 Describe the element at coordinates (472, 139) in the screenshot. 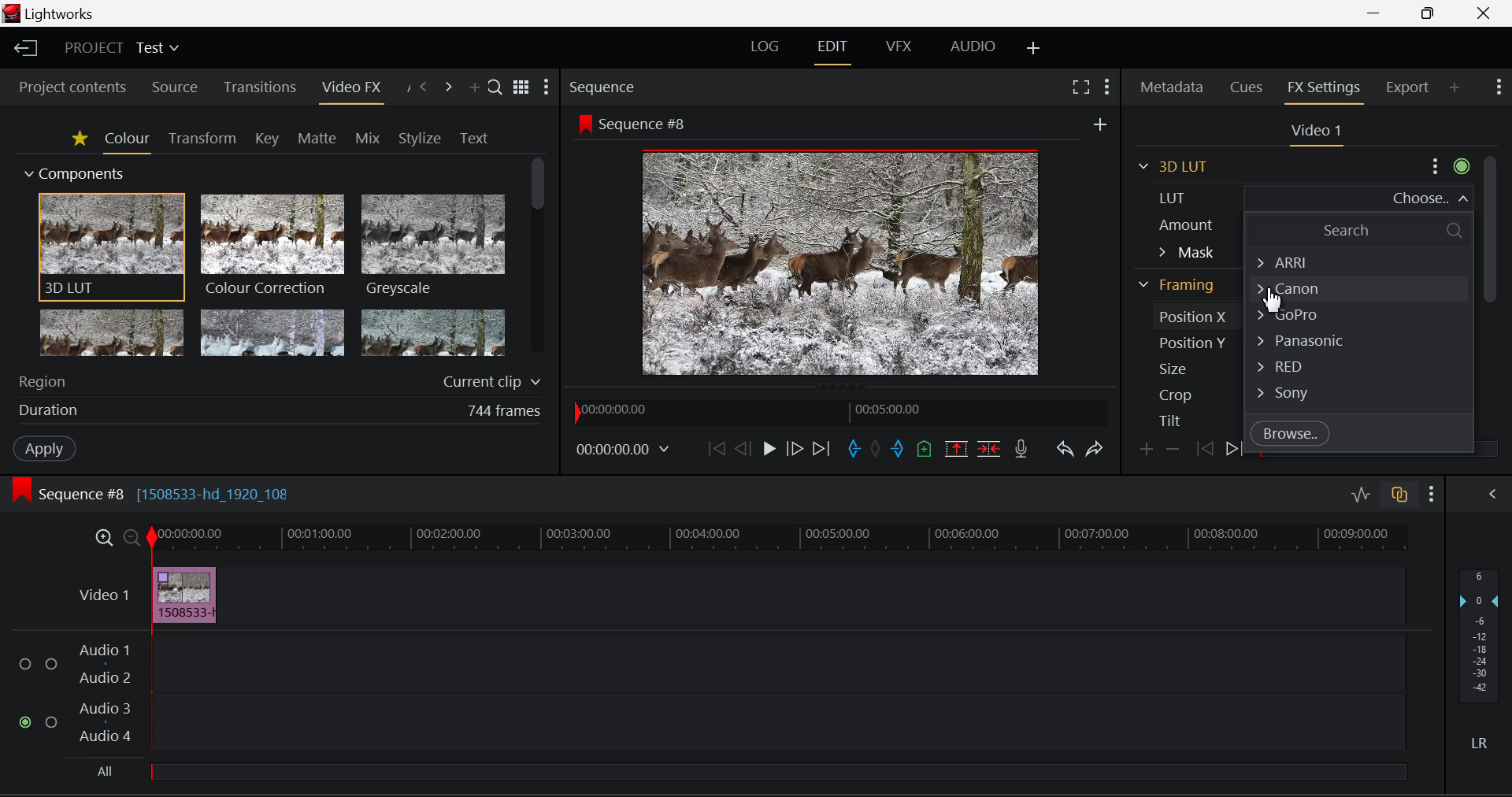

I see `Text` at that location.